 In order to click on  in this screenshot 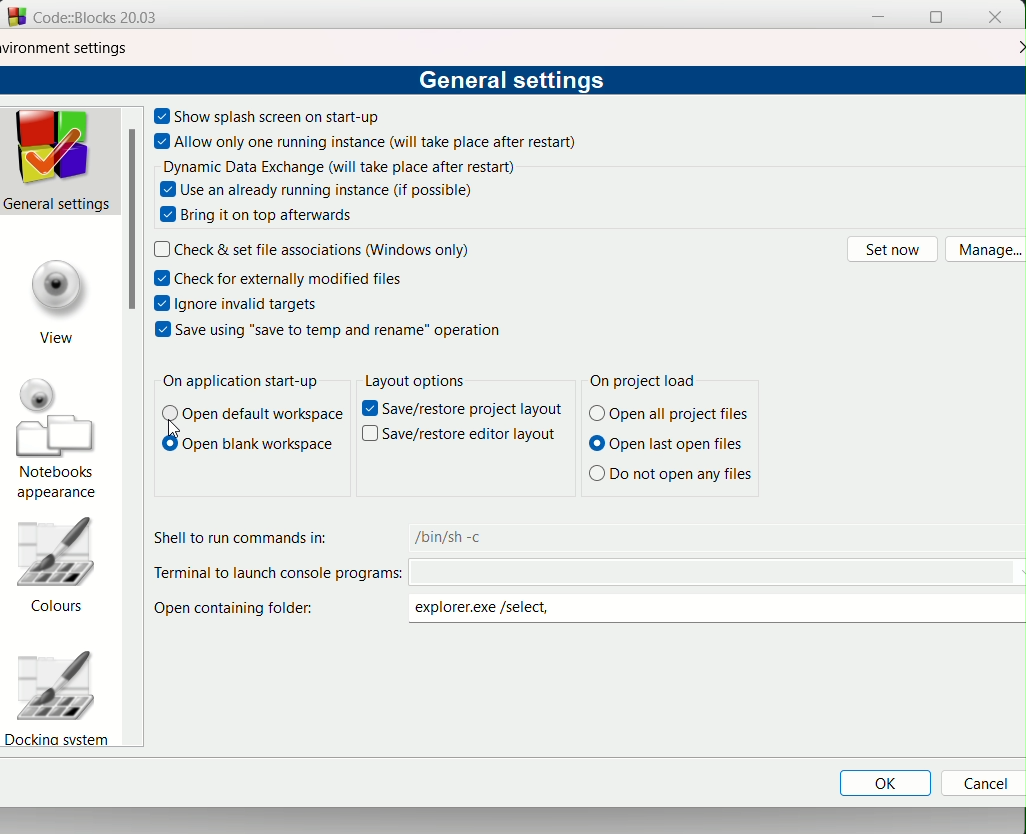, I will do `click(175, 434)`.